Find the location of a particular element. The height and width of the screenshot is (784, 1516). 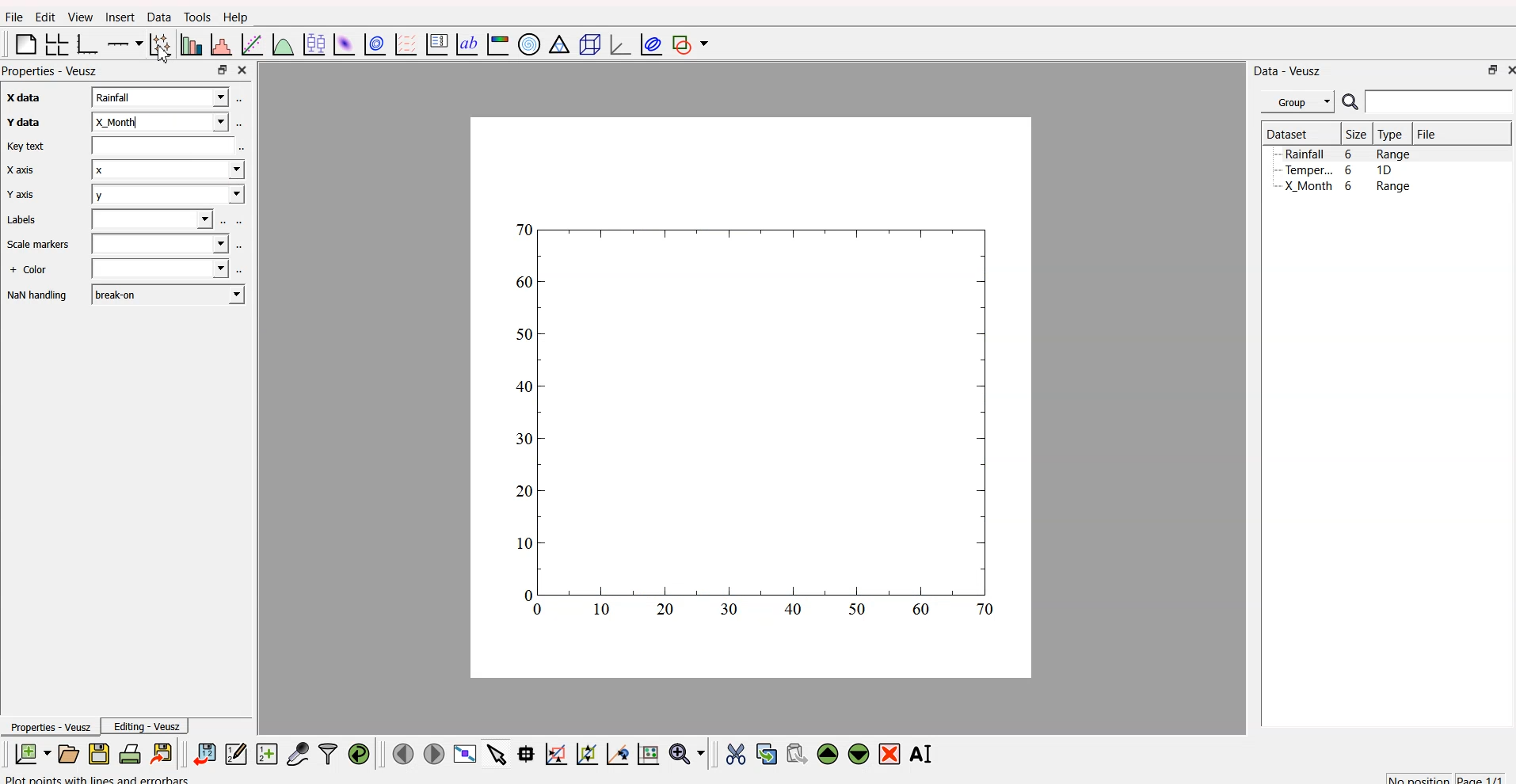

Ternary graph is located at coordinates (556, 45).